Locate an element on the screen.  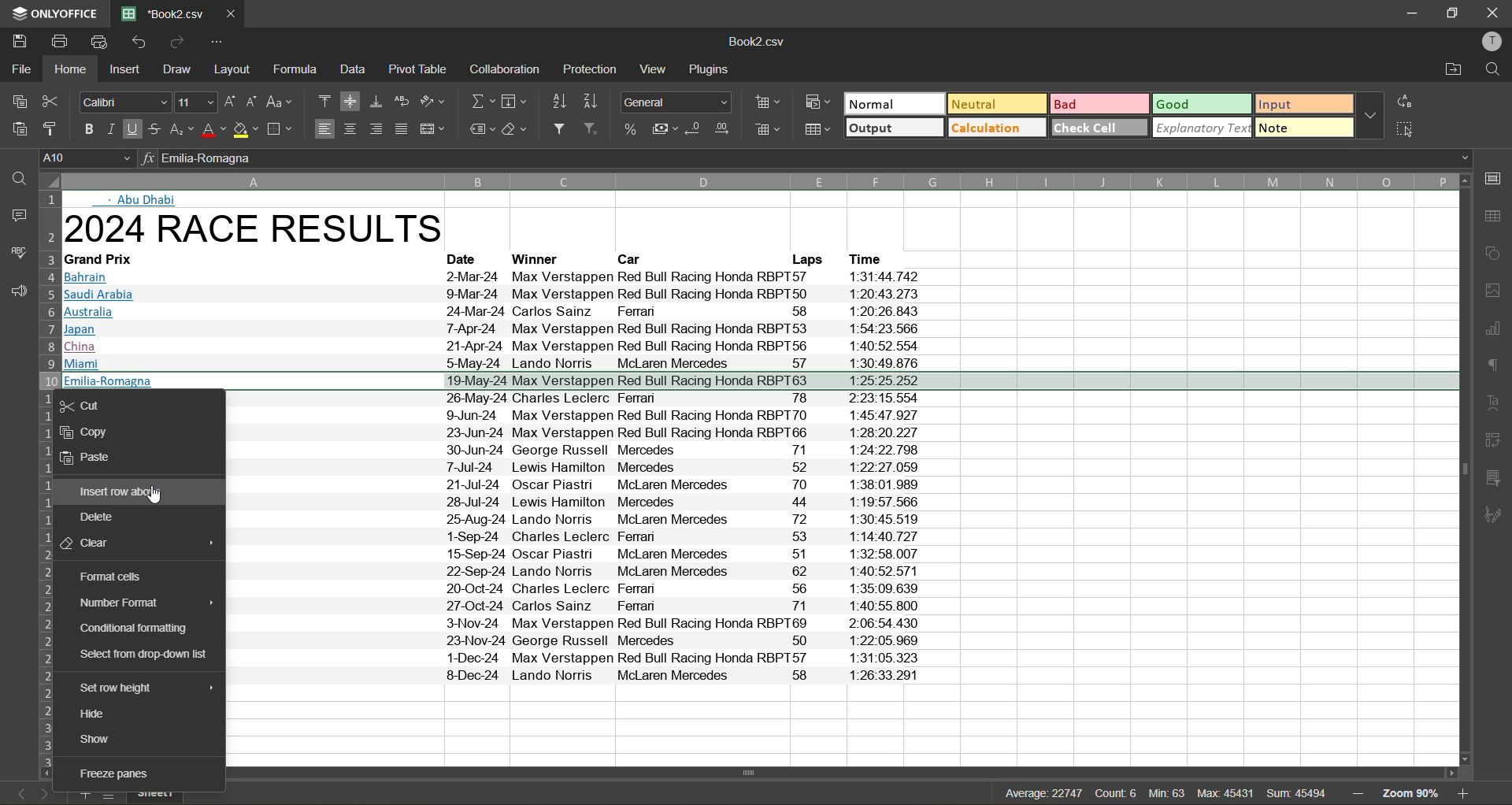
delete is located at coordinates (101, 517).